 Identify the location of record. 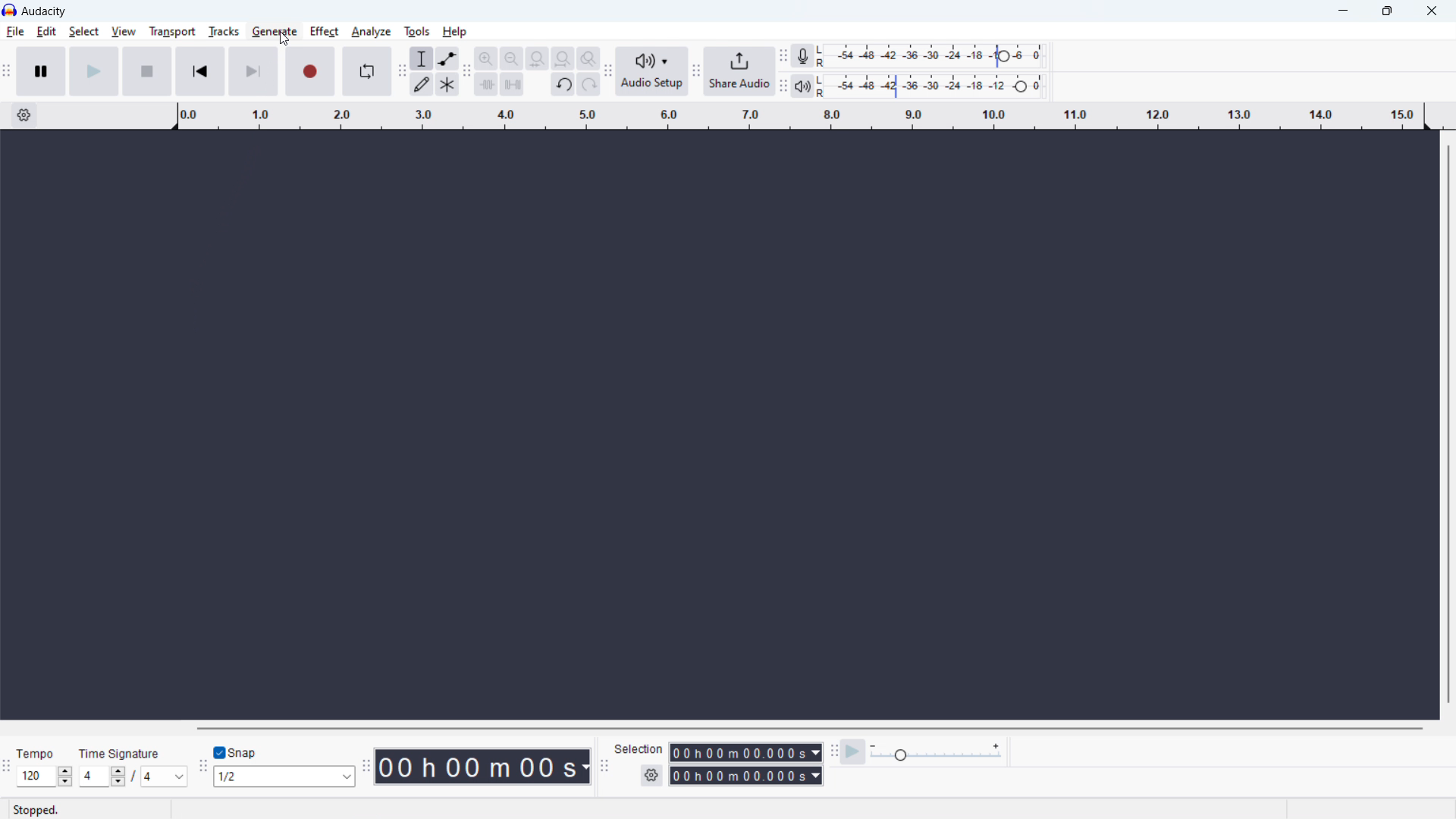
(311, 71).